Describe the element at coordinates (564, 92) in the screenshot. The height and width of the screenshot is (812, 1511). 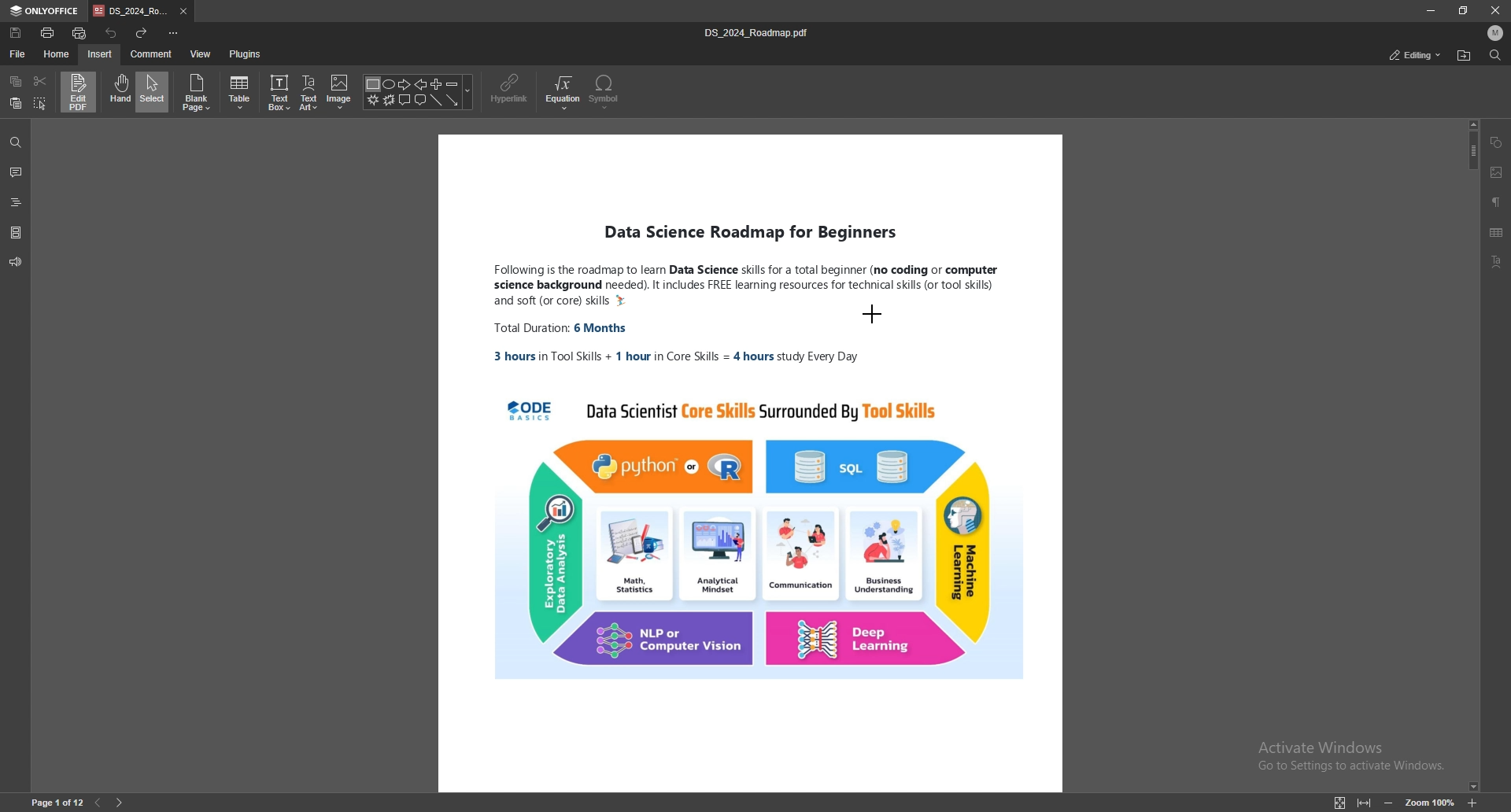
I see `equation` at that location.